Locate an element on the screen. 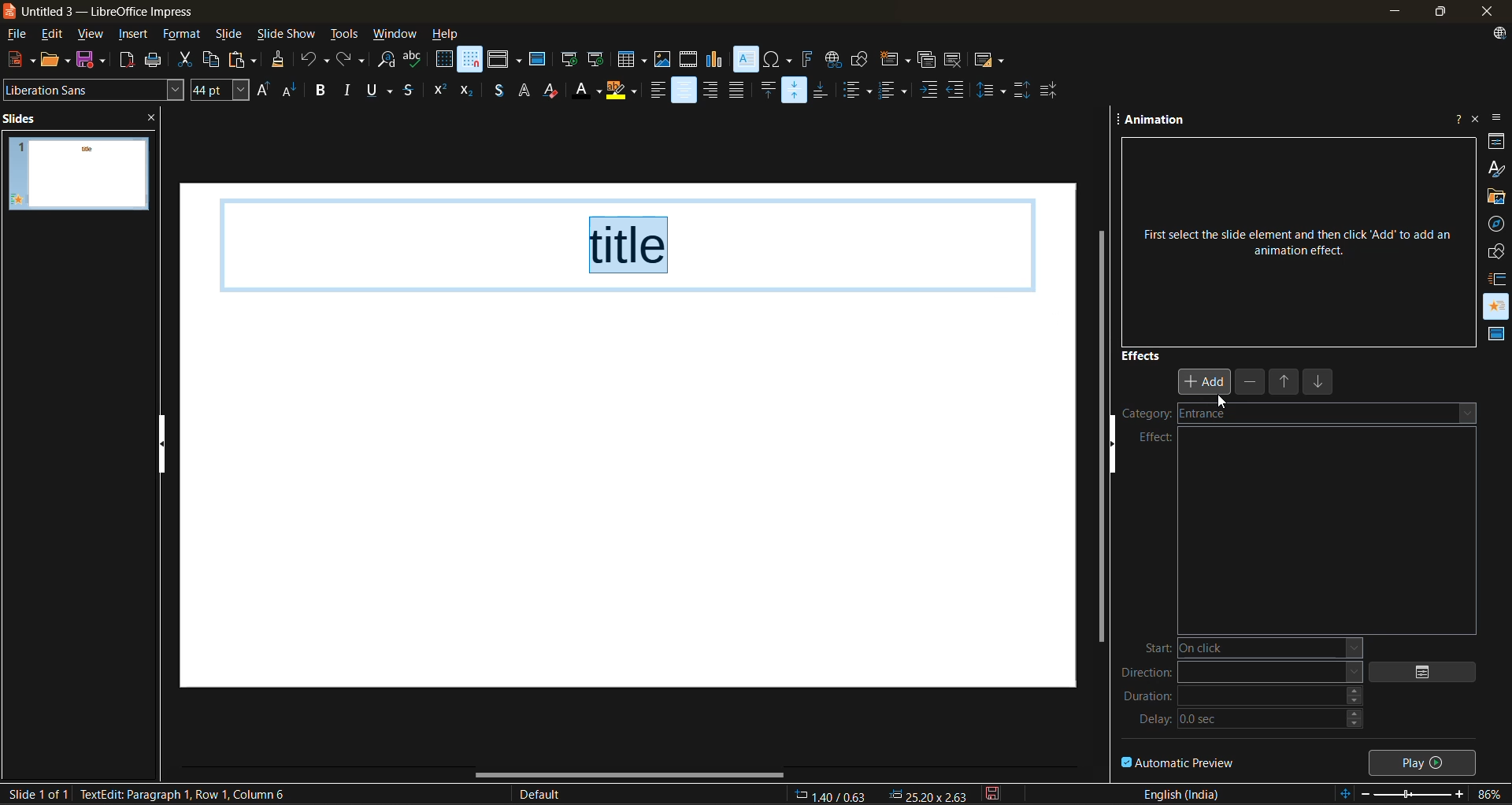 The width and height of the screenshot is (1512, 805). apply outline is located at coordinates (525, 91).